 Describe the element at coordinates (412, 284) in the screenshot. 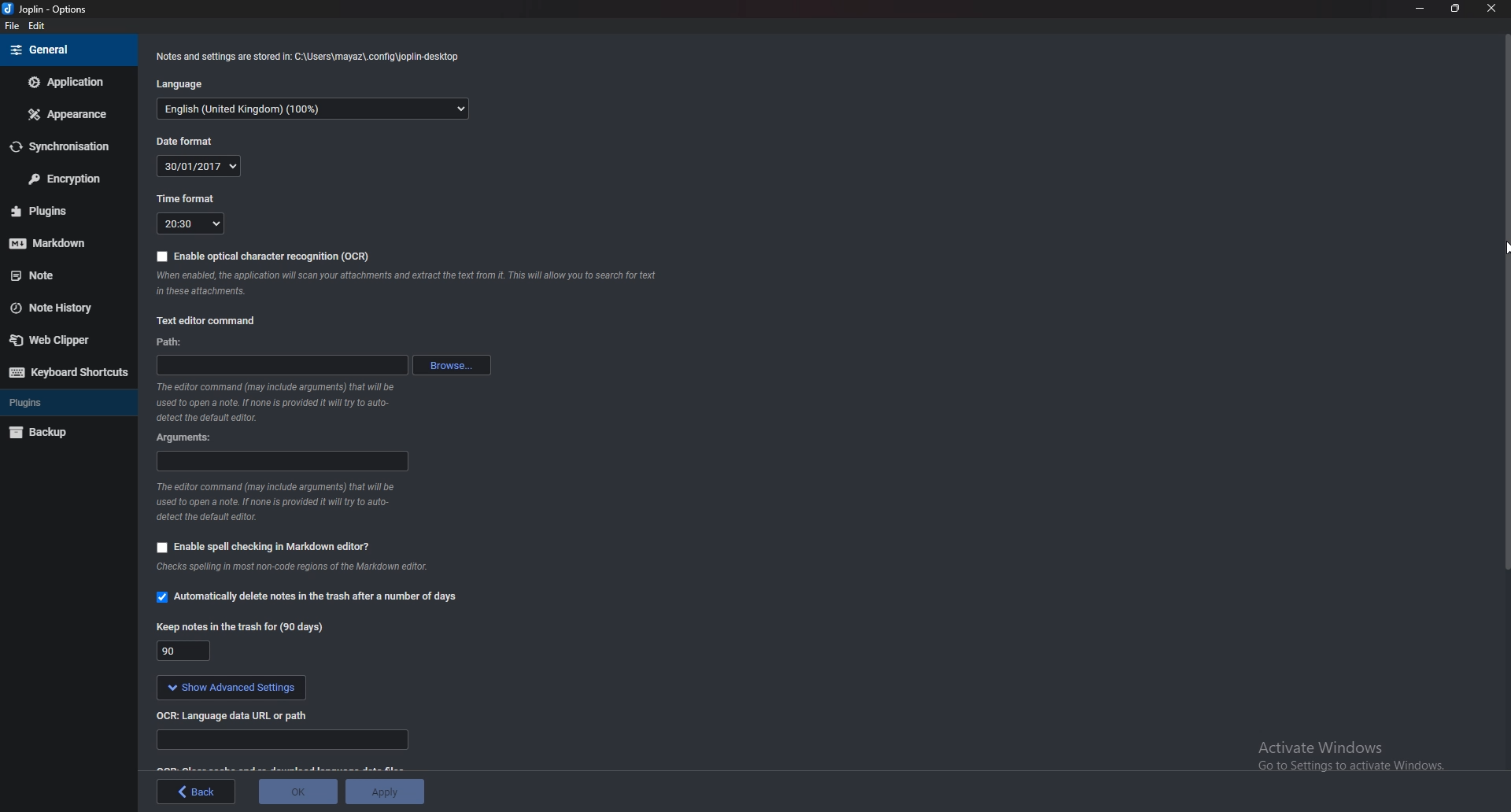

I see `Info` at that location.